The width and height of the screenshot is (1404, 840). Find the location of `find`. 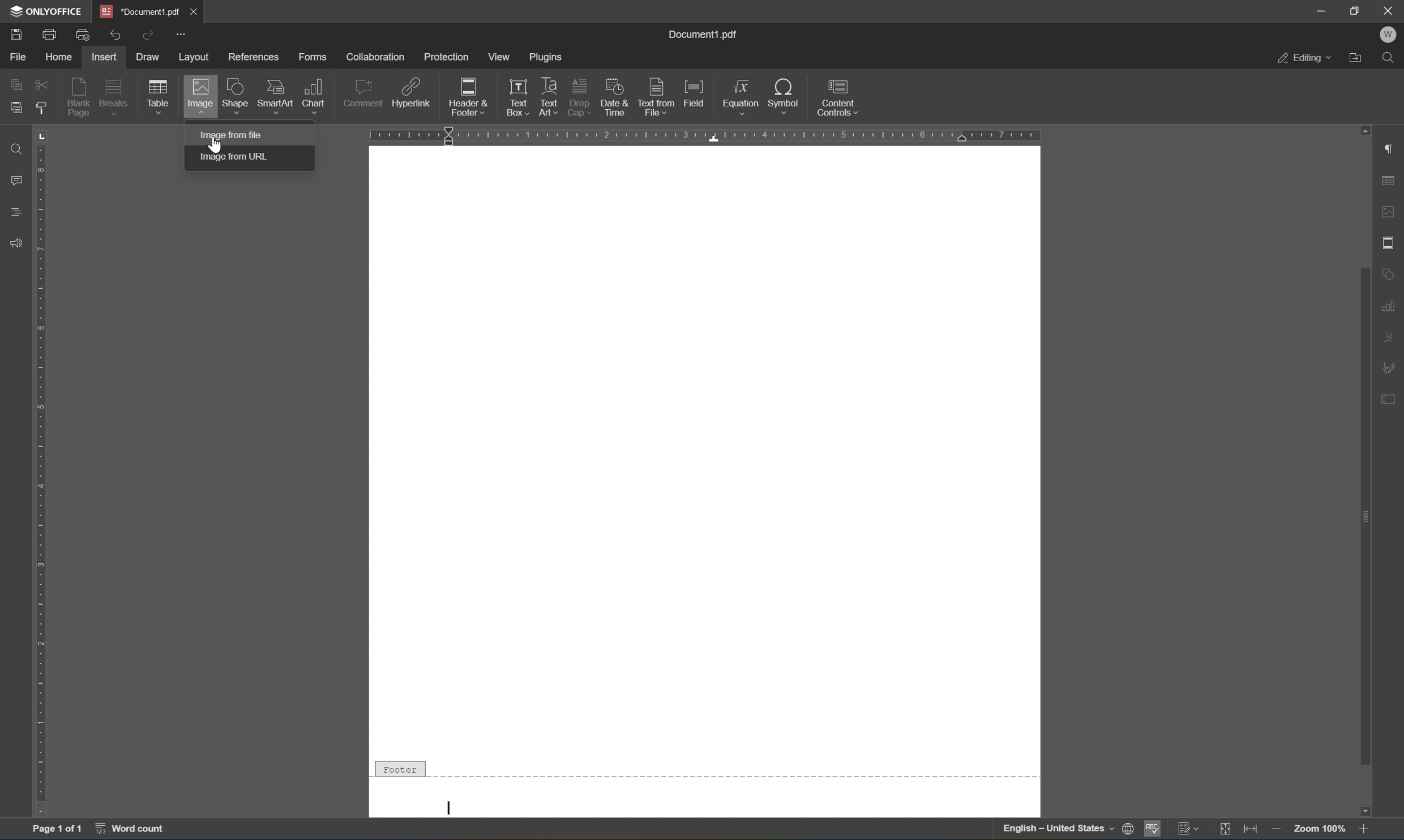

find is located at coordinates (1391, 59).